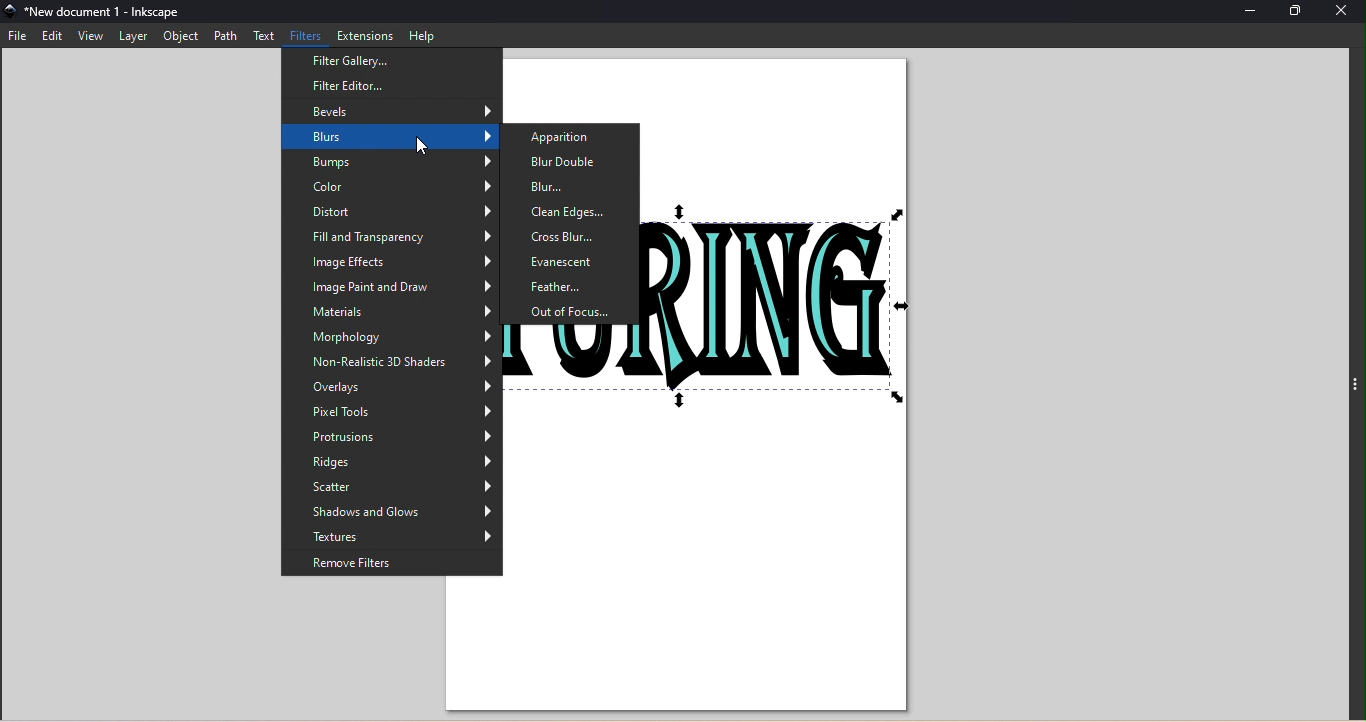  I want to click on Scatter, so click(393, 487).